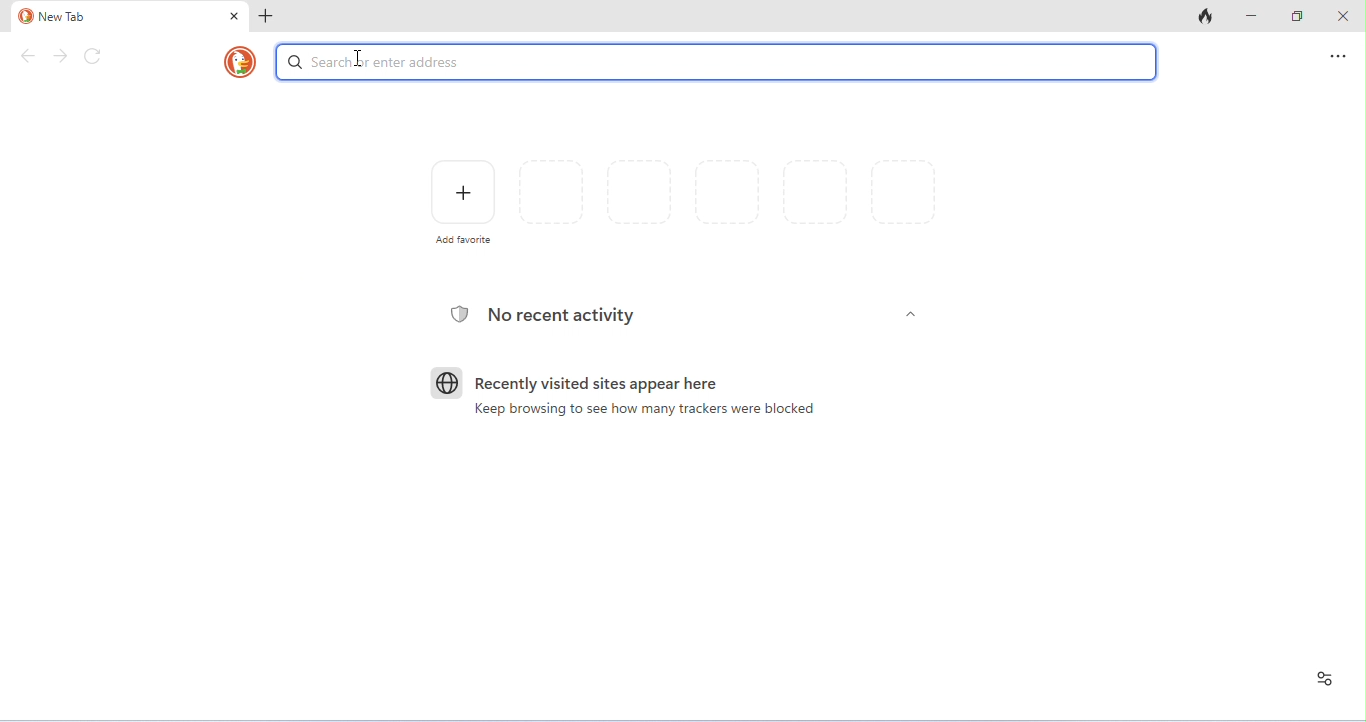  What do you see at coordinates (908, 315) in the screenshot?
I see `` at bounding box center [908, 315].